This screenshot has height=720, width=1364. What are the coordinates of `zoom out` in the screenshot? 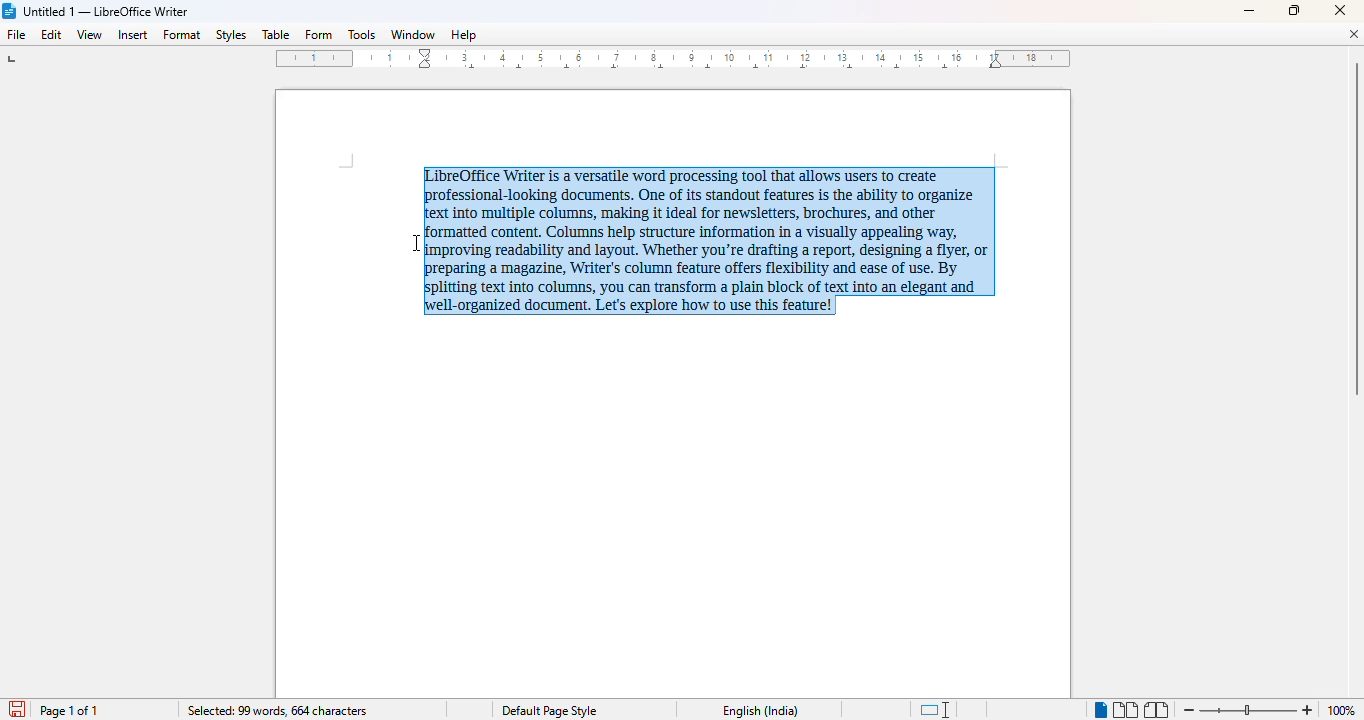 It's located at (1190, 710).